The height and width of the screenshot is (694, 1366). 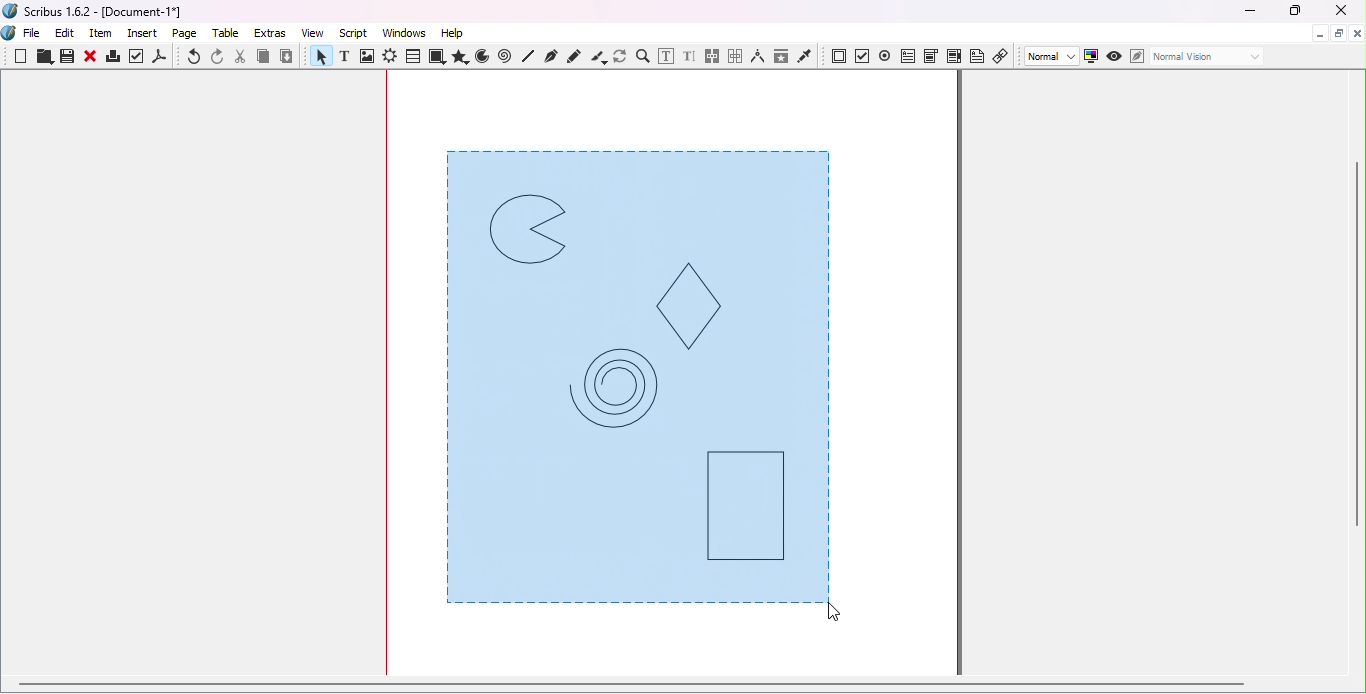 What do you see at coordinates (436, 57) in the screenshot?
I see `Shapes` at bounding box center [436, 57].